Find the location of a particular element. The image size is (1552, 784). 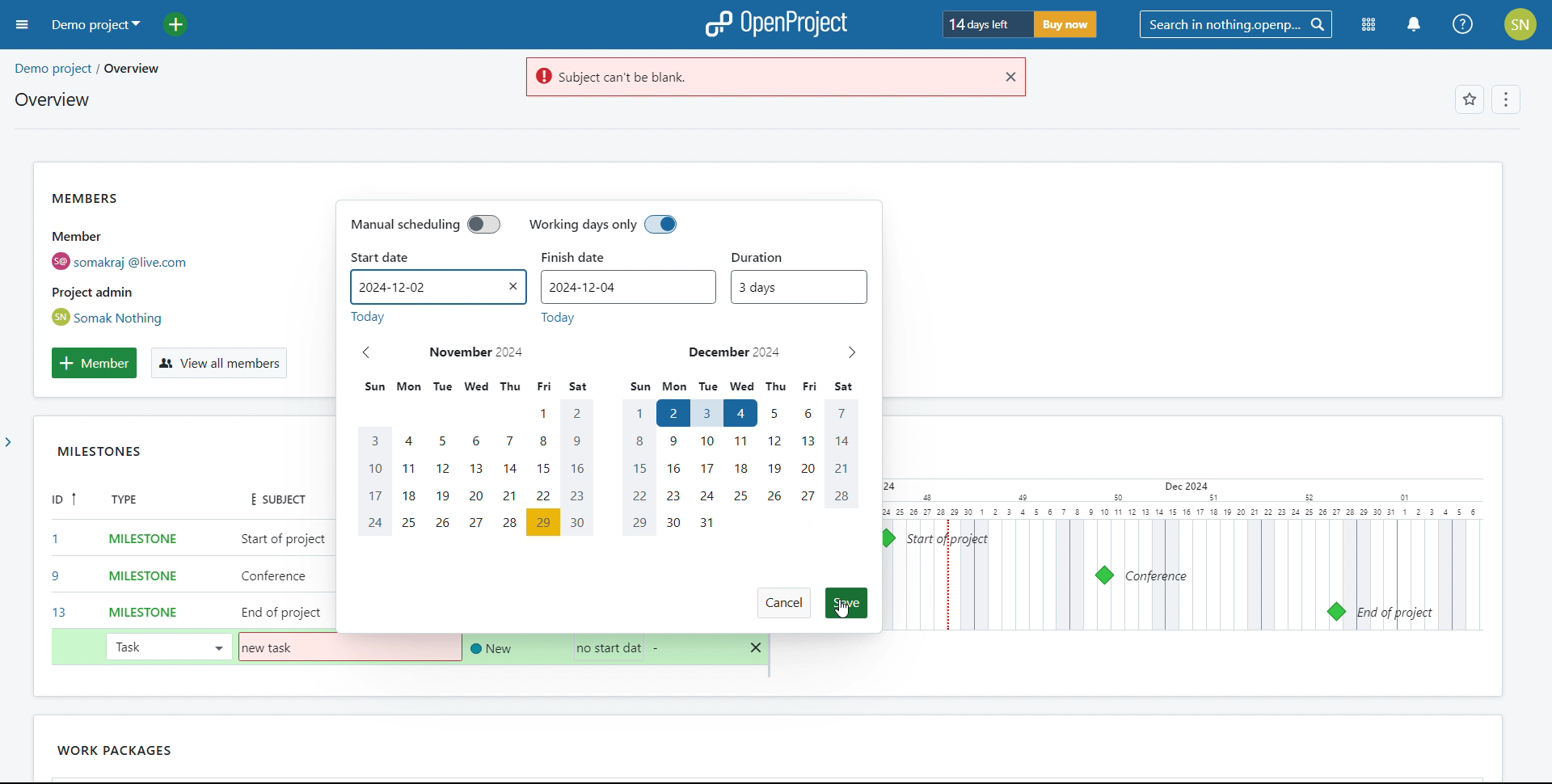

type is located at coordinates (134, 501).